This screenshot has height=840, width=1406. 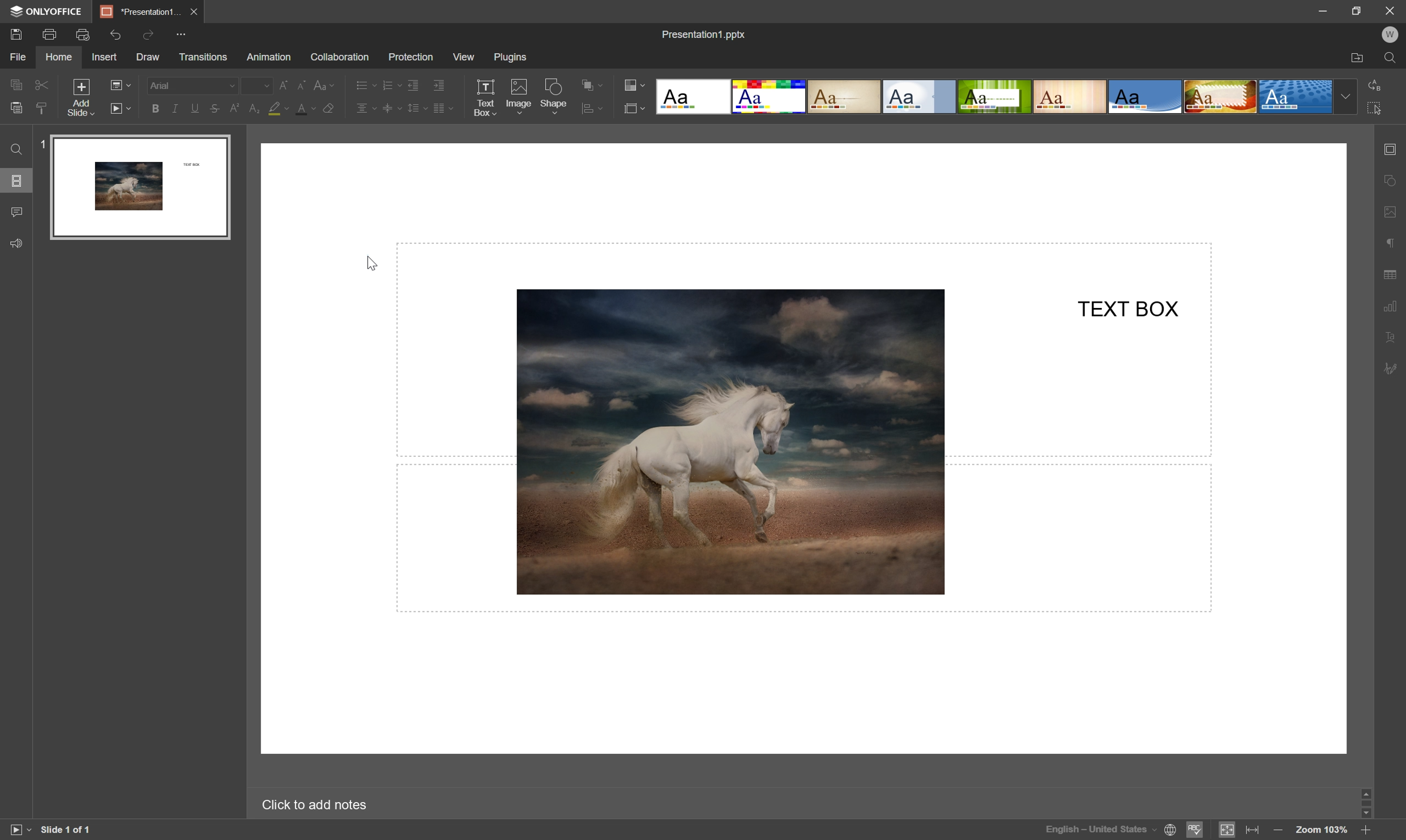 What do you see at coordinates (121, 108) in the screenshot?
I see `start slideshow` at bounding box center [121, 108].